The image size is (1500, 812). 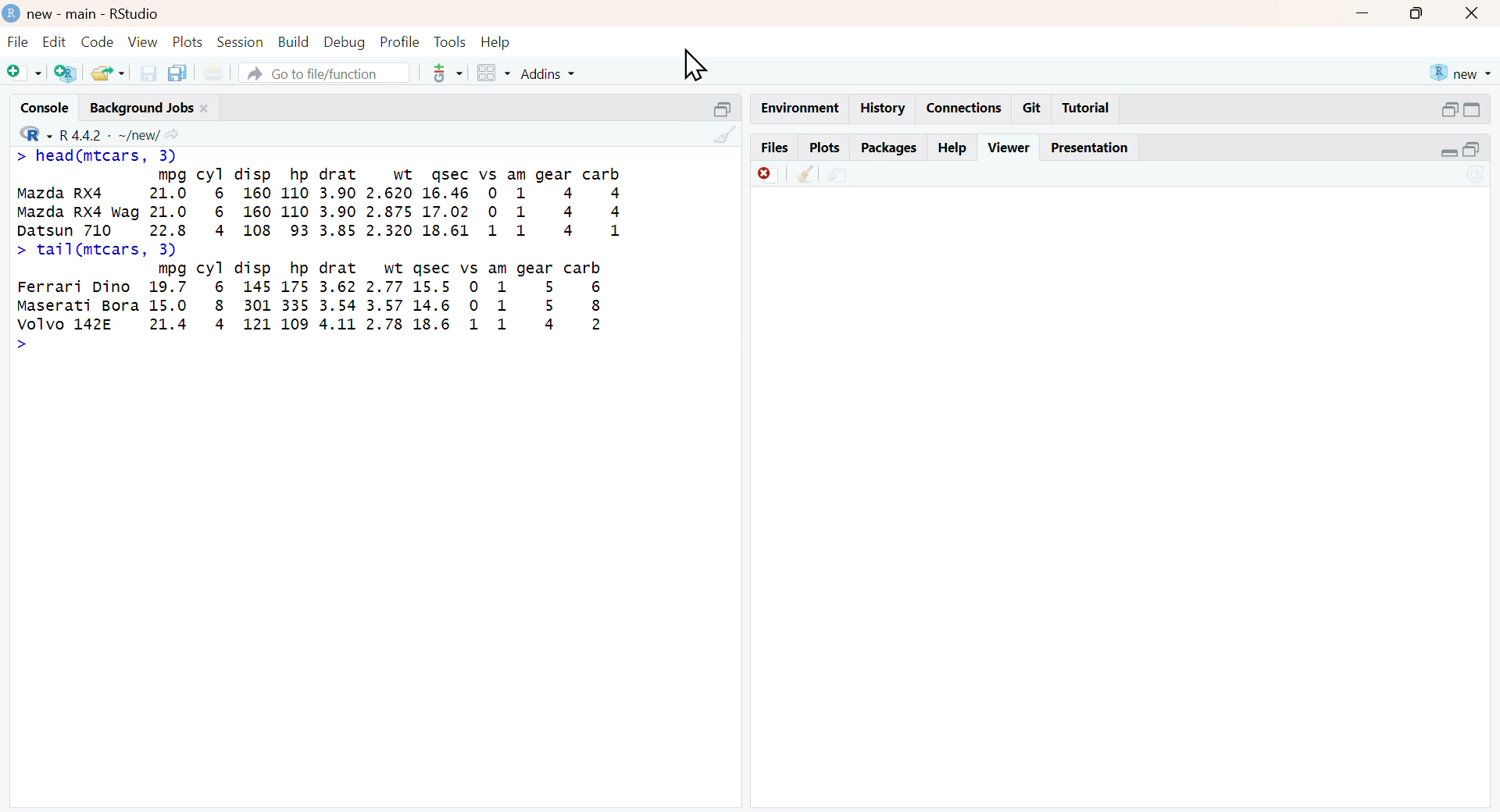 I want to click on text cursor, so click(x=699, y=68).